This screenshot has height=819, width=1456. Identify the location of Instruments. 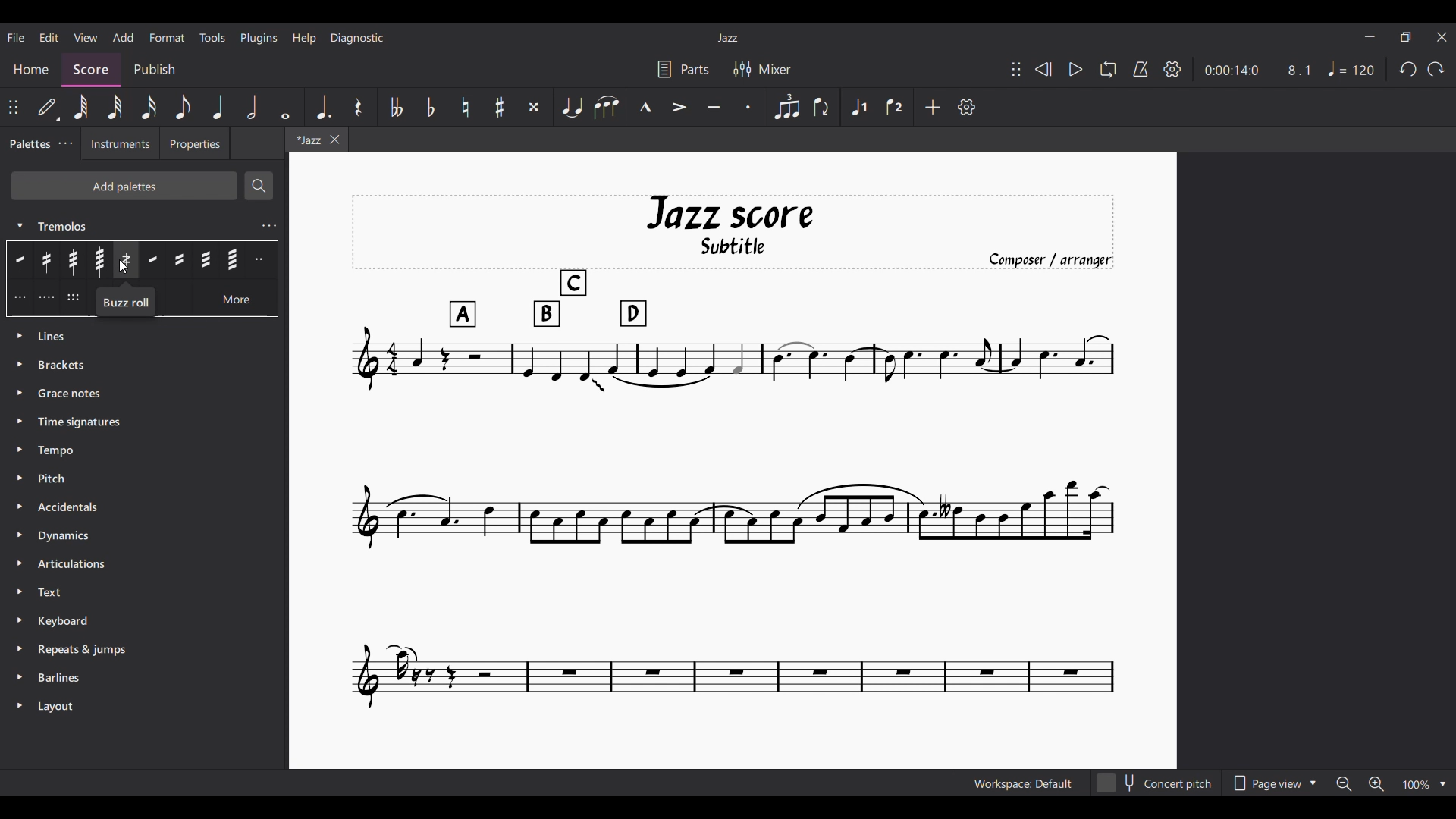
(121, 143).